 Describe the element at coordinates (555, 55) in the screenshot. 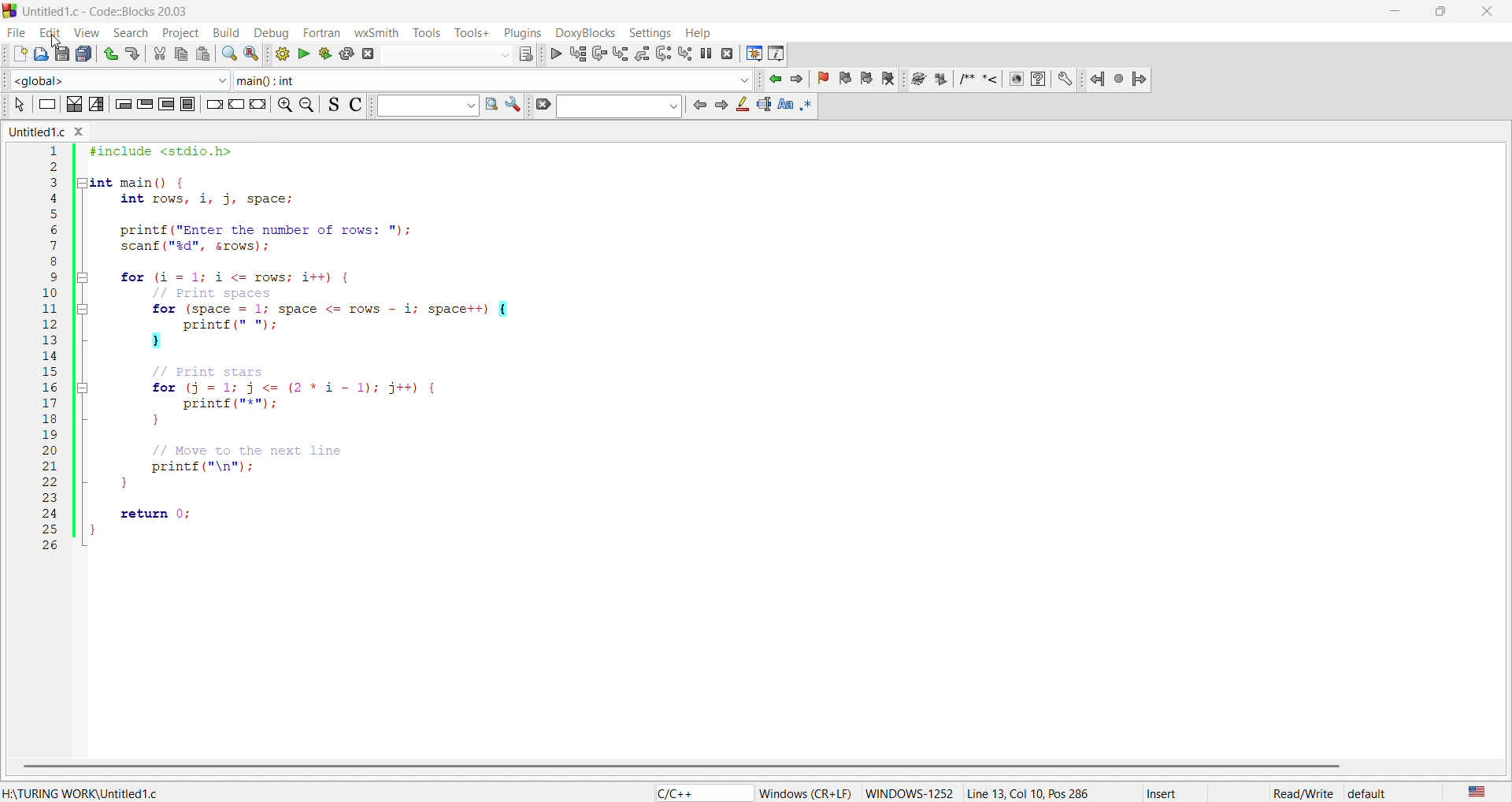

I see `debug continue` at that location.